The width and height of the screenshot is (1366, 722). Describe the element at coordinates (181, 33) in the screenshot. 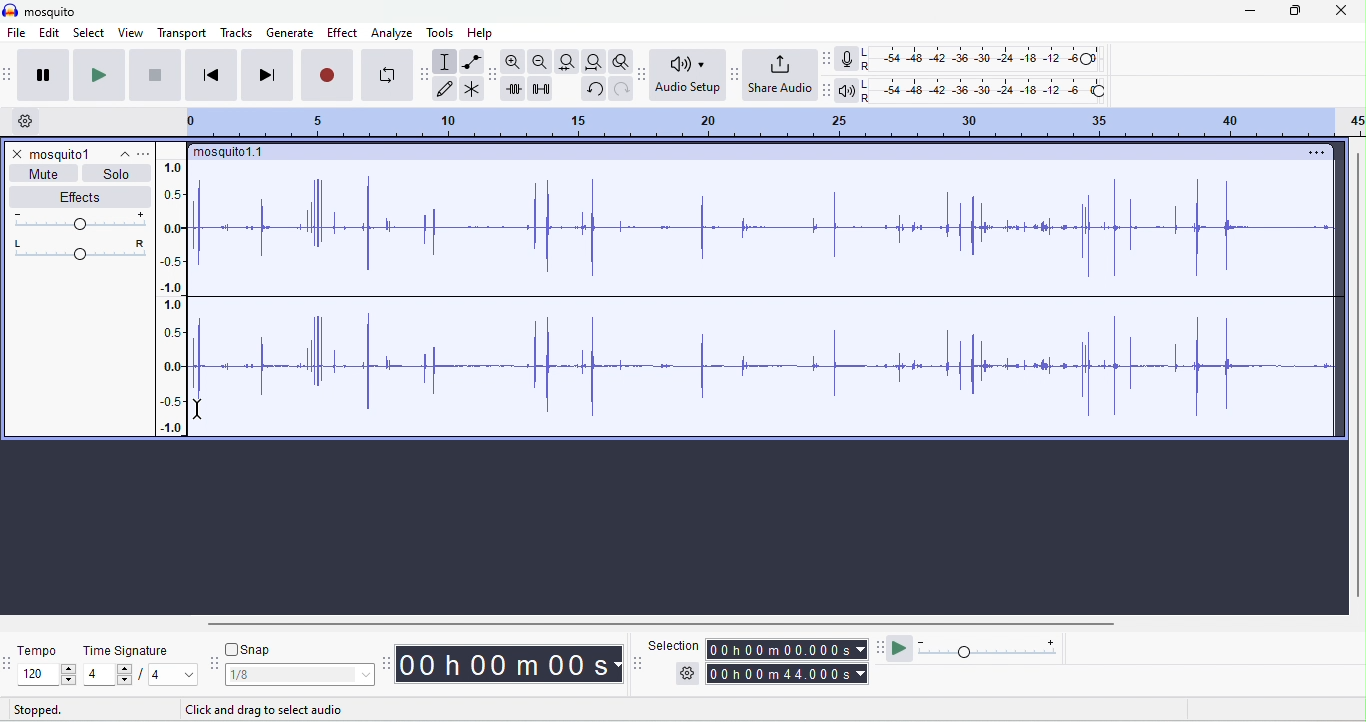

I see `transport` at that location.